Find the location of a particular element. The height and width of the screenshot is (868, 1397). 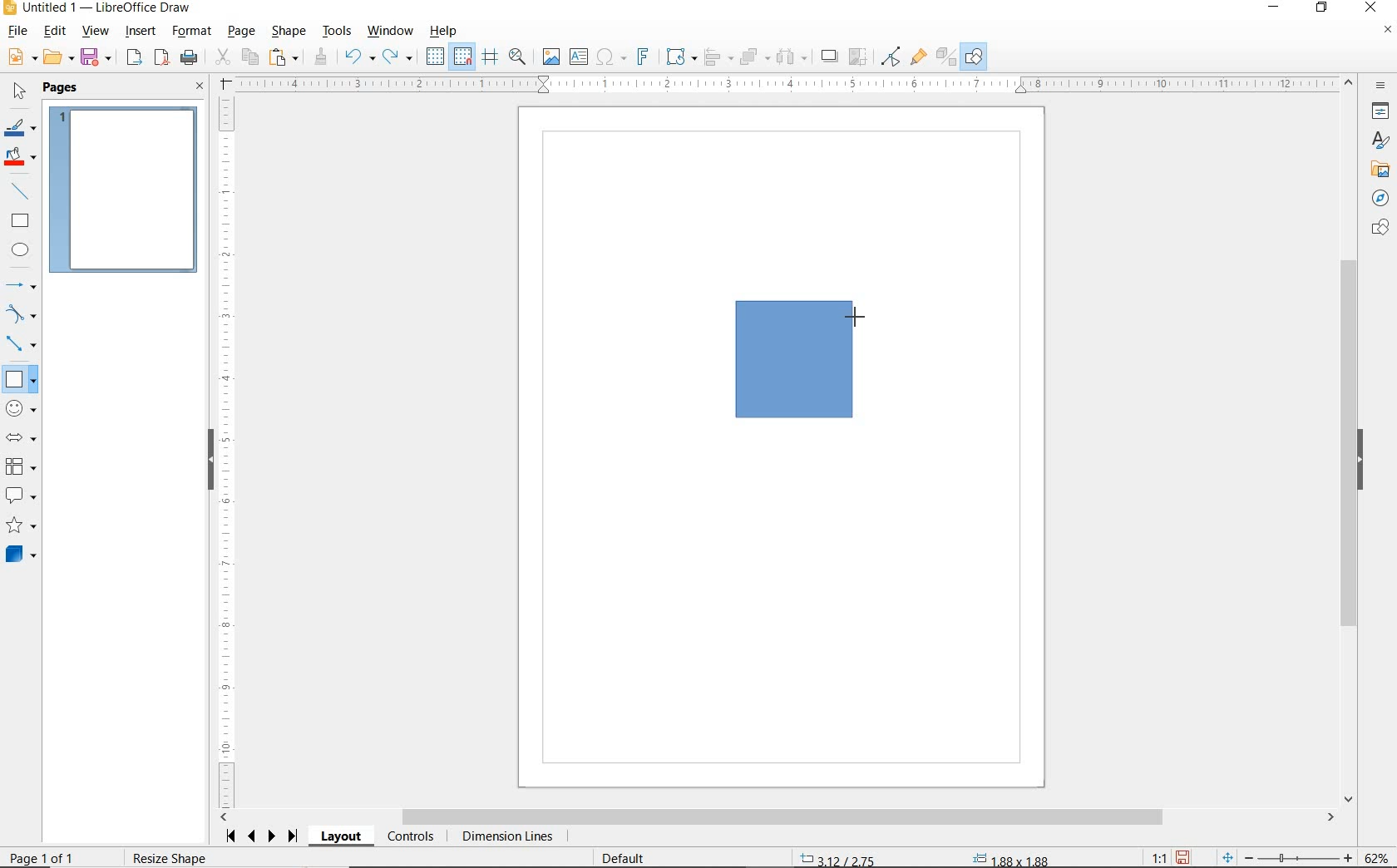

CURVES AND POLYGONS is located at coordinates (22, 313).